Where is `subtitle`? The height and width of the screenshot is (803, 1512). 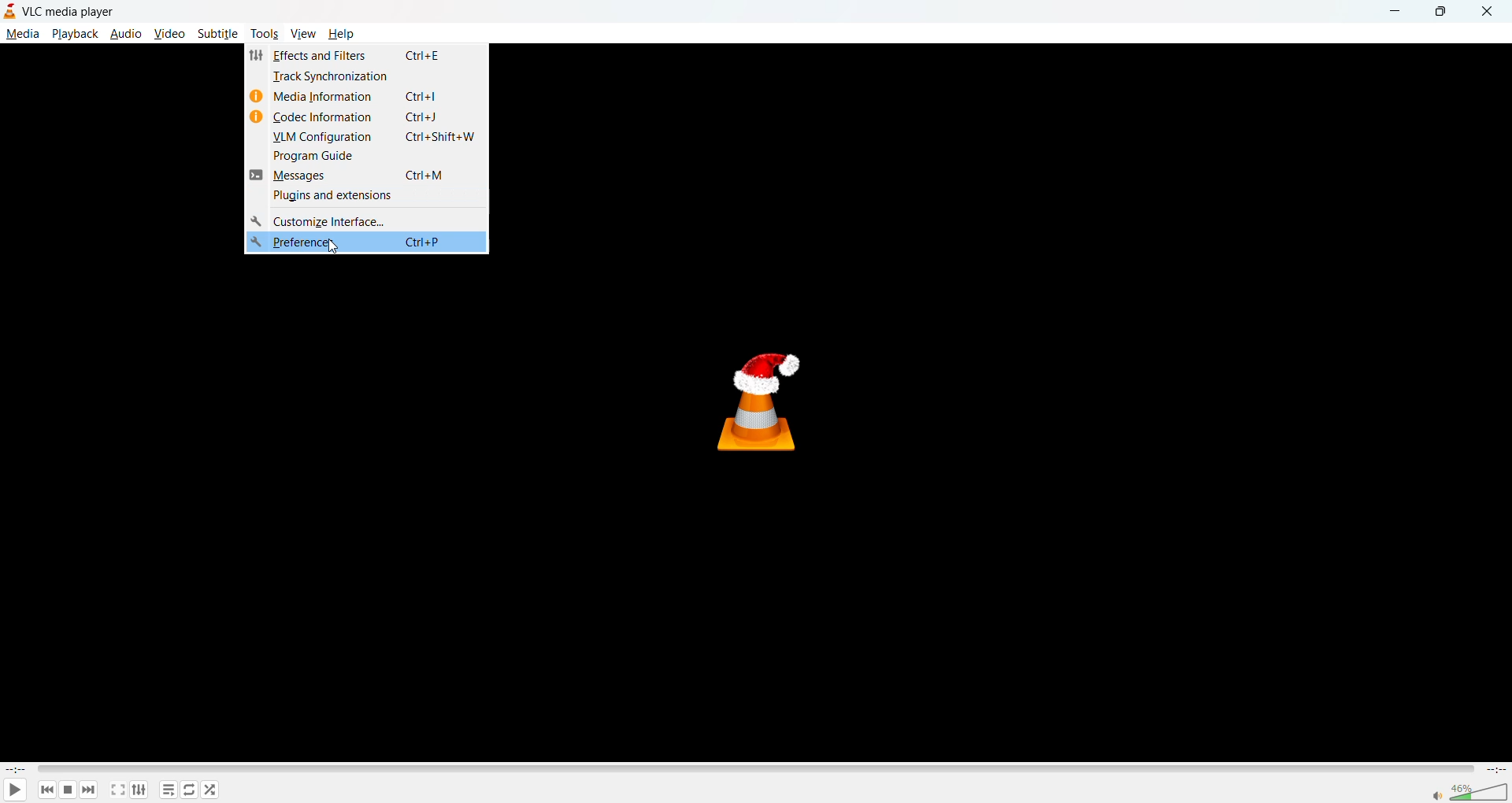
subtitle is located at coordinates (217, 34).